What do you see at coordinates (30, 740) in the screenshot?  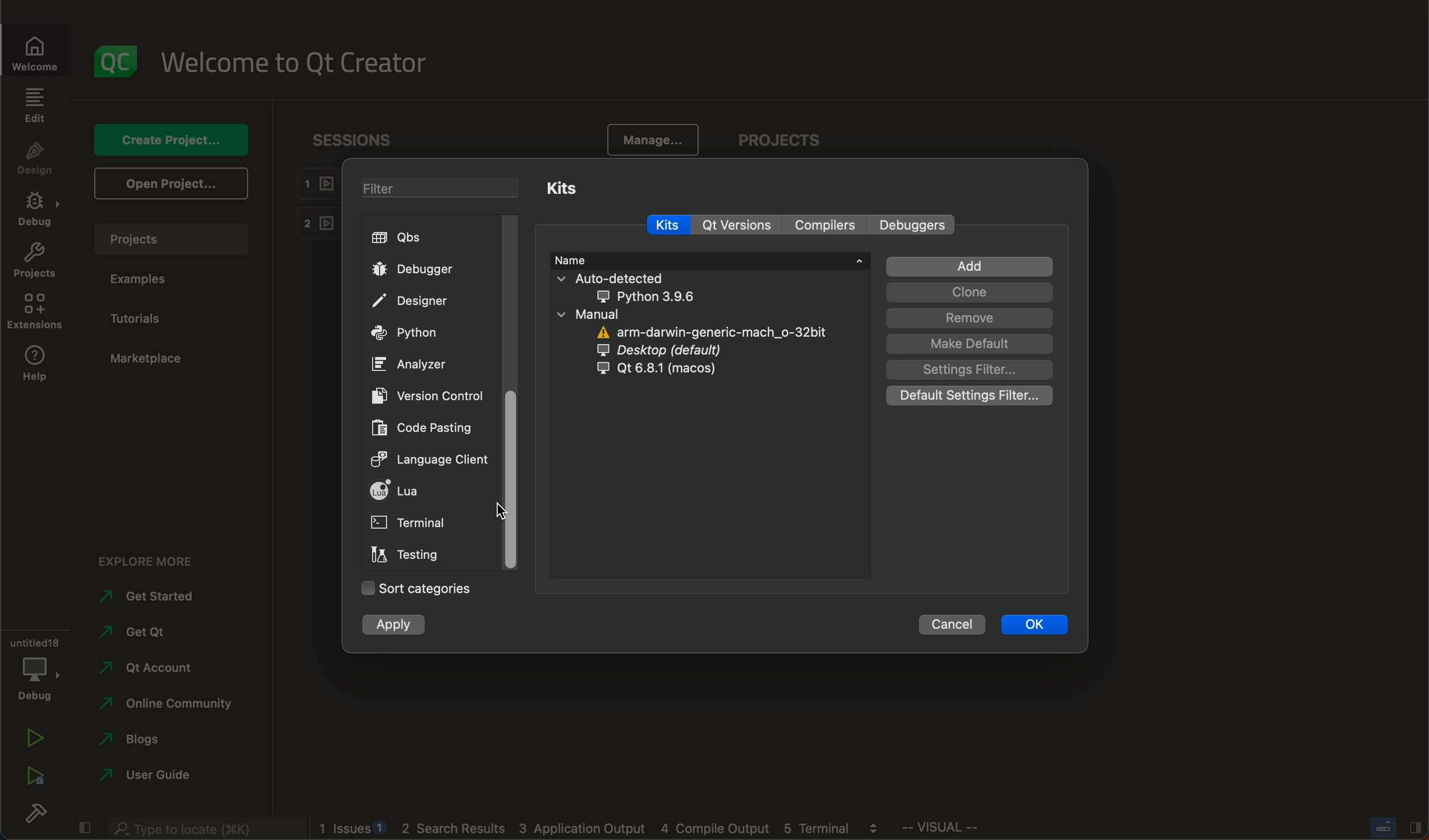 I see `run` at bounding box center [30, 740].